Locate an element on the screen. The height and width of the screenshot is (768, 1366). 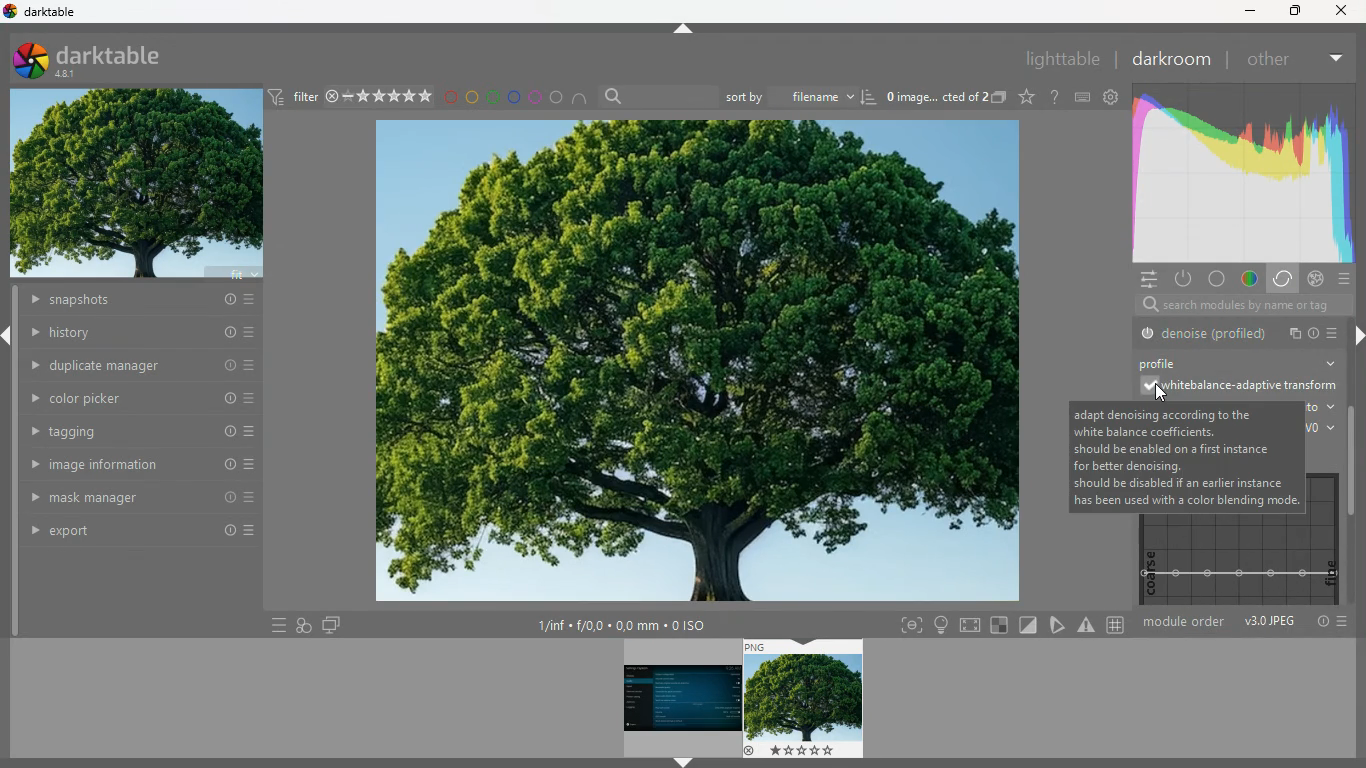
circle is located at coordinates (557, 97).